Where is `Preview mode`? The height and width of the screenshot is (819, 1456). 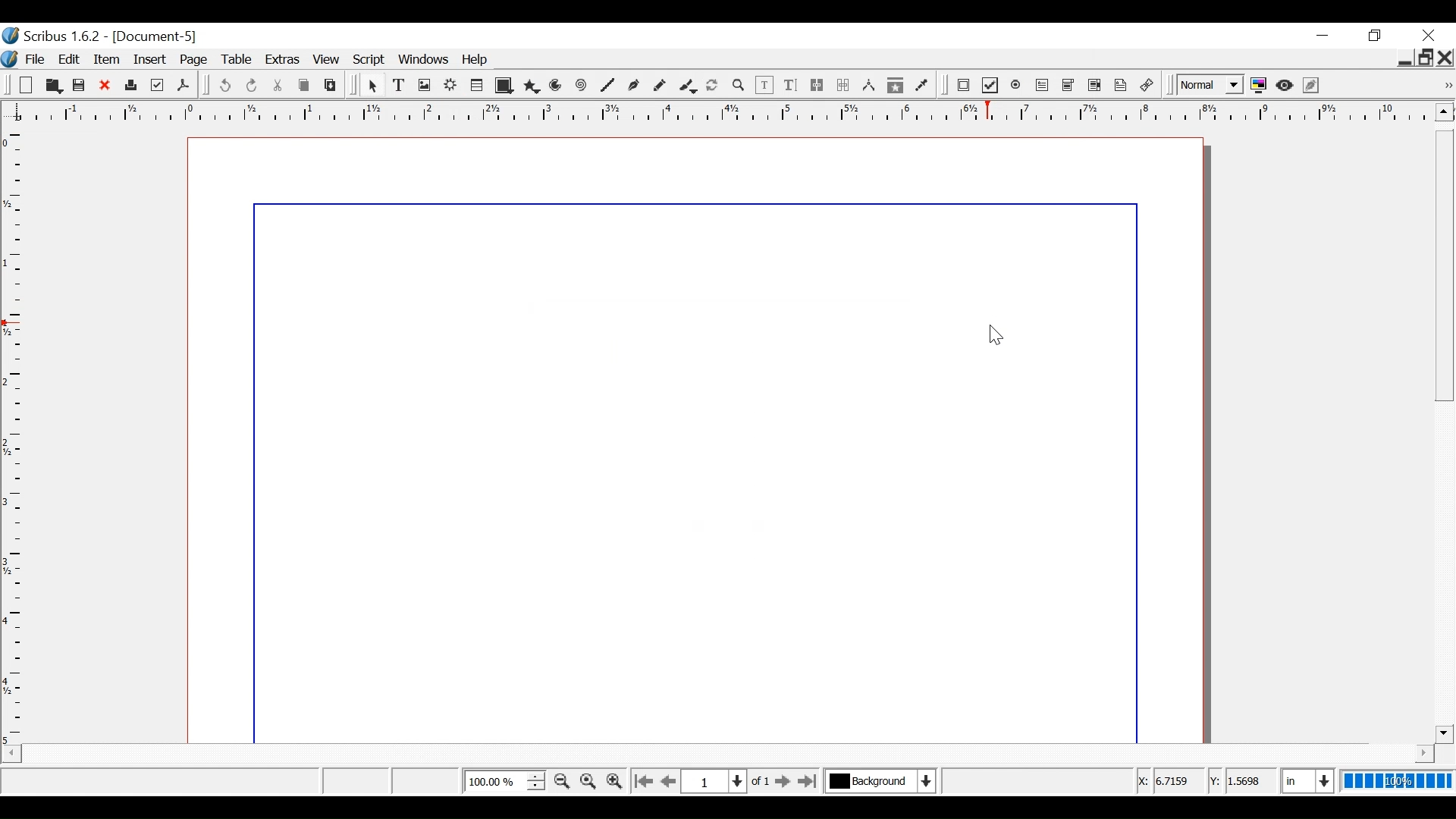 Preview mode is located at coordinates (1286, 86).